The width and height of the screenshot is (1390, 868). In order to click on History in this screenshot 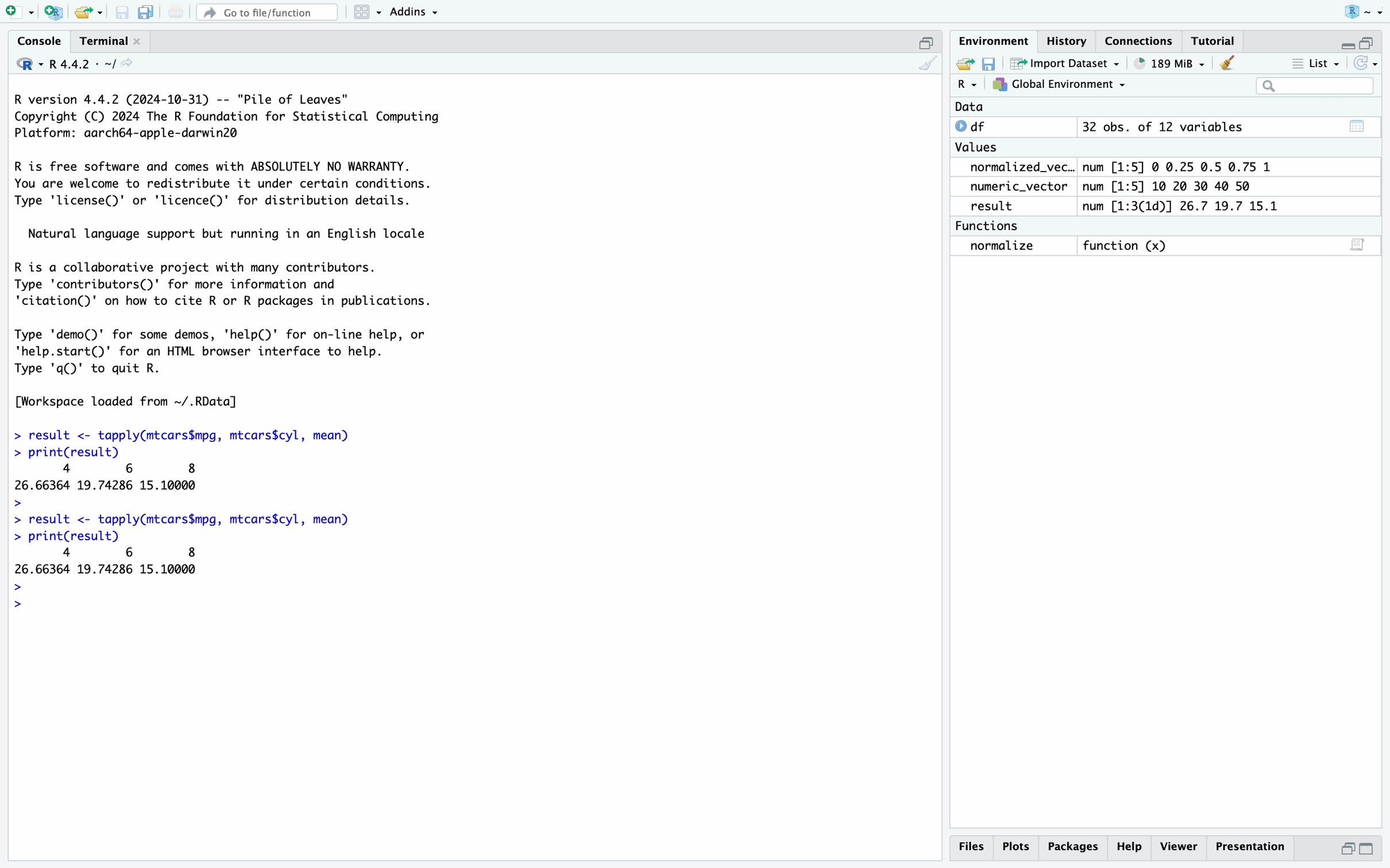, I will do `click(1068, 40)`.